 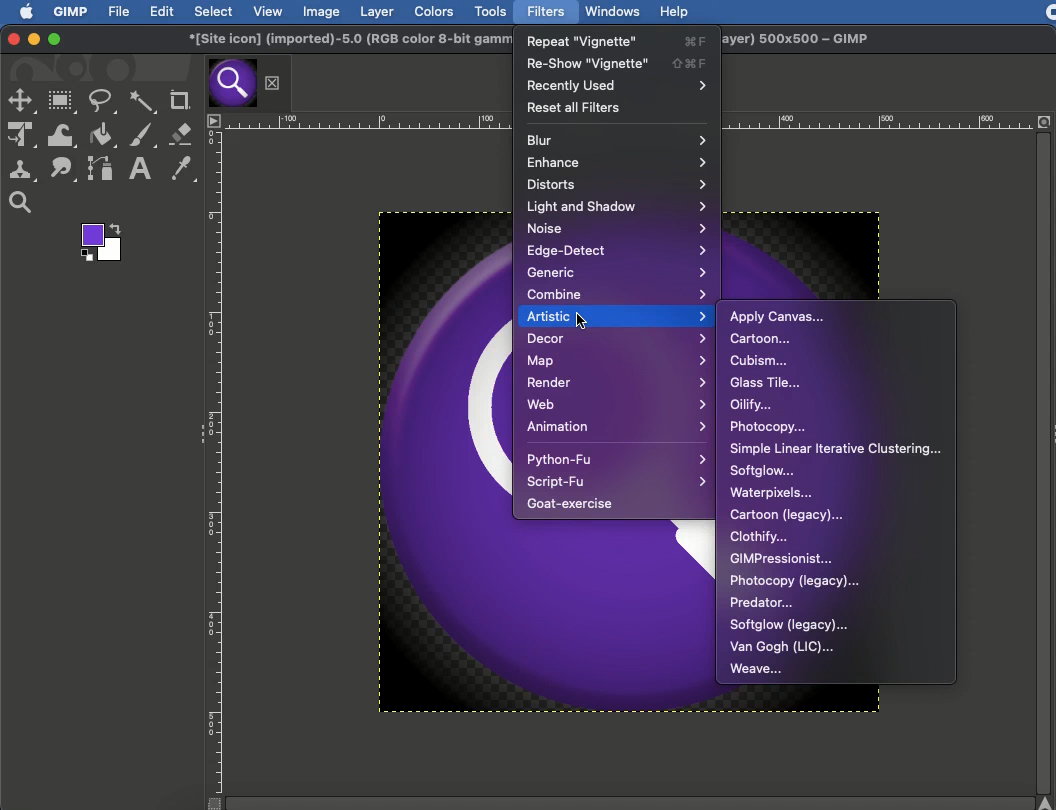 What do you see at coordinates (436, 12) in the screenshot?
I see `Colors` at bounding box center [436, 12].